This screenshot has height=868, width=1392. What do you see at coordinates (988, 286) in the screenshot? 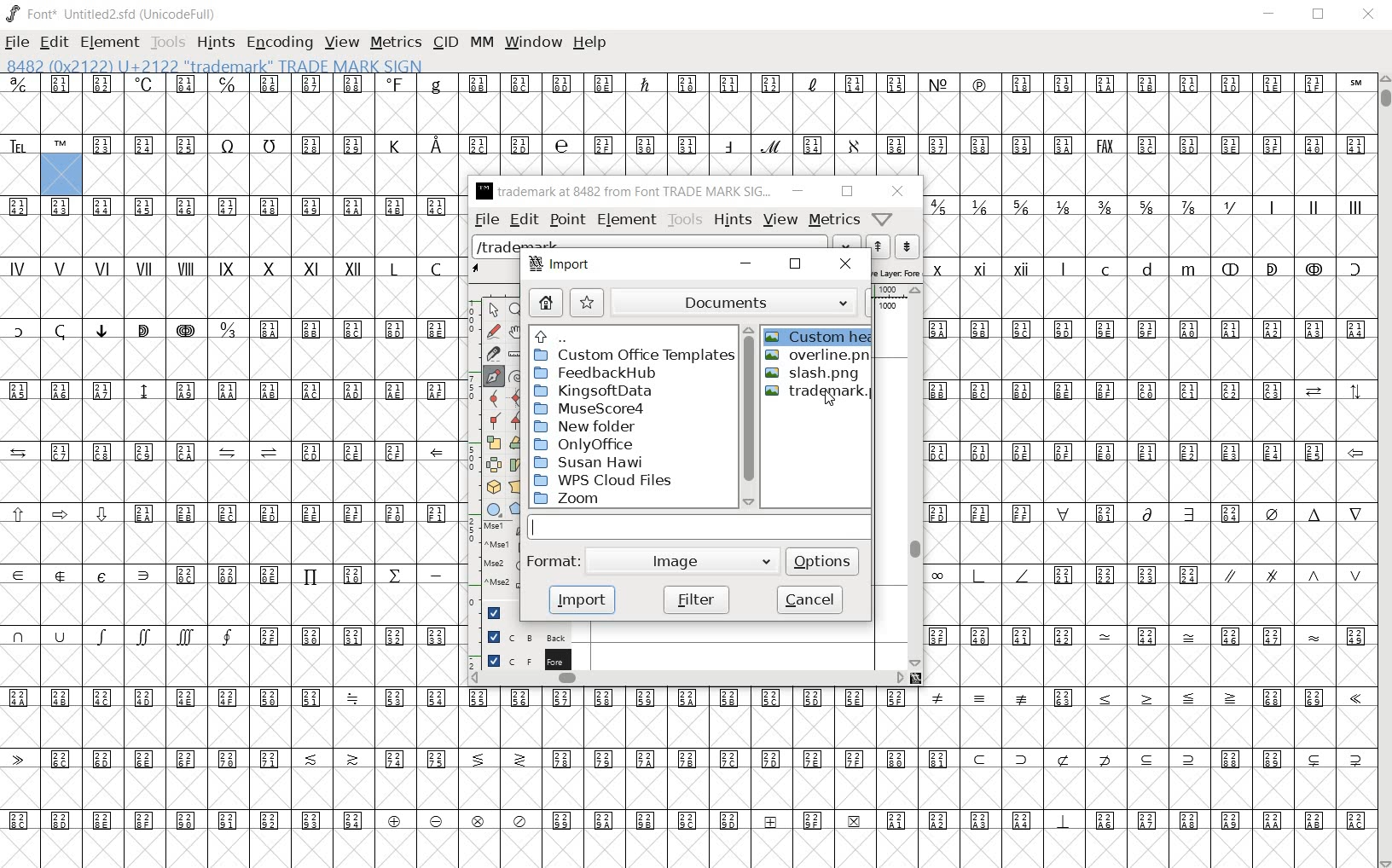
I see `roman characters` at bounding box center [988, 286].